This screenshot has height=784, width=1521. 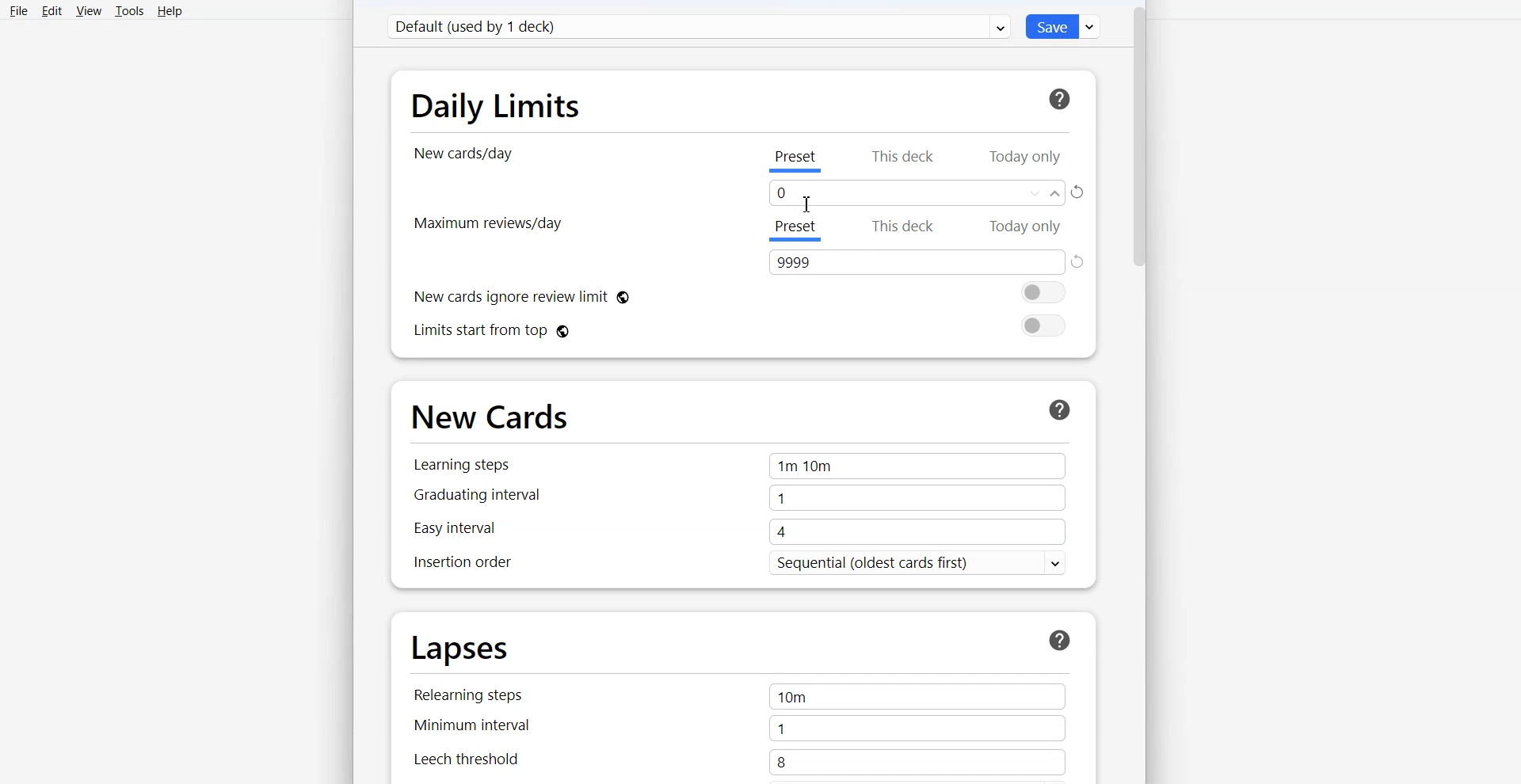 What do you see at coordinates (168, 11) in the screenshot?
I see `Help` at bounding box center [168, 11].